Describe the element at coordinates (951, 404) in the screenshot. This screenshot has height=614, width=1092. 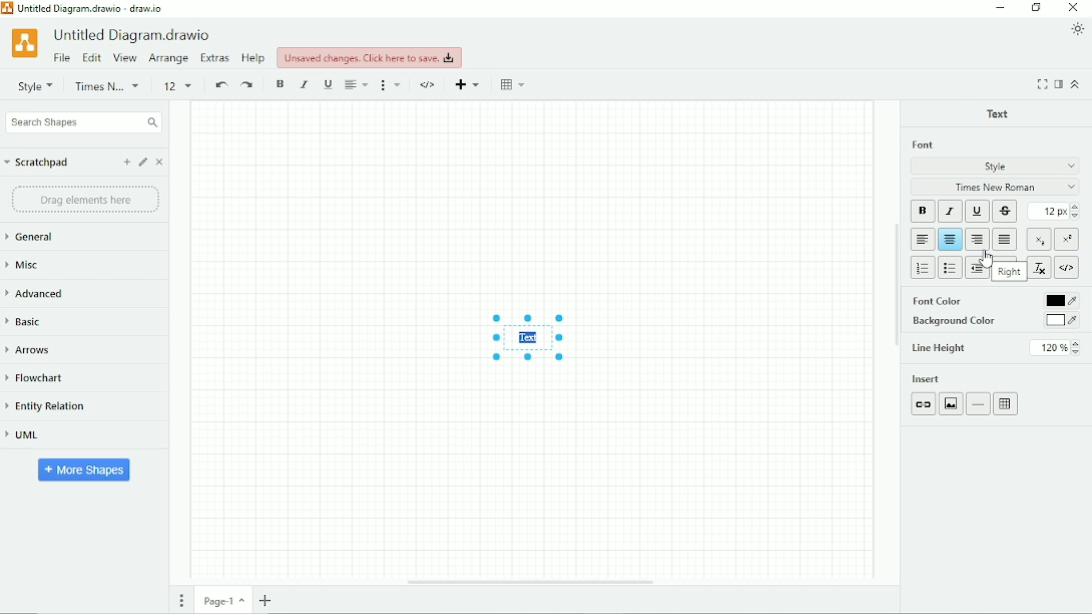
I see `Image` at that location.